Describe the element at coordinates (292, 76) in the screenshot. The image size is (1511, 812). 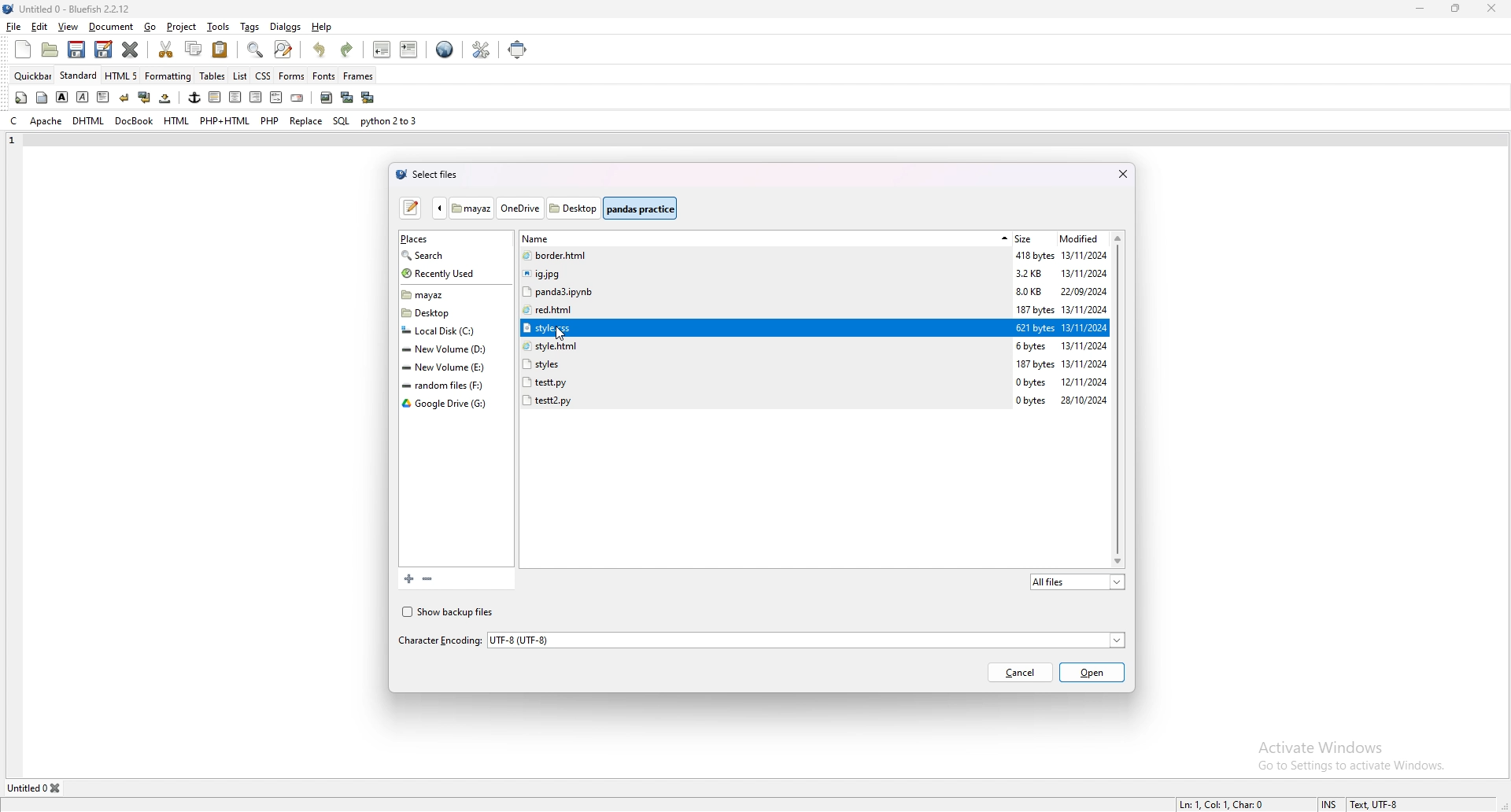
I see `forms` at that location.